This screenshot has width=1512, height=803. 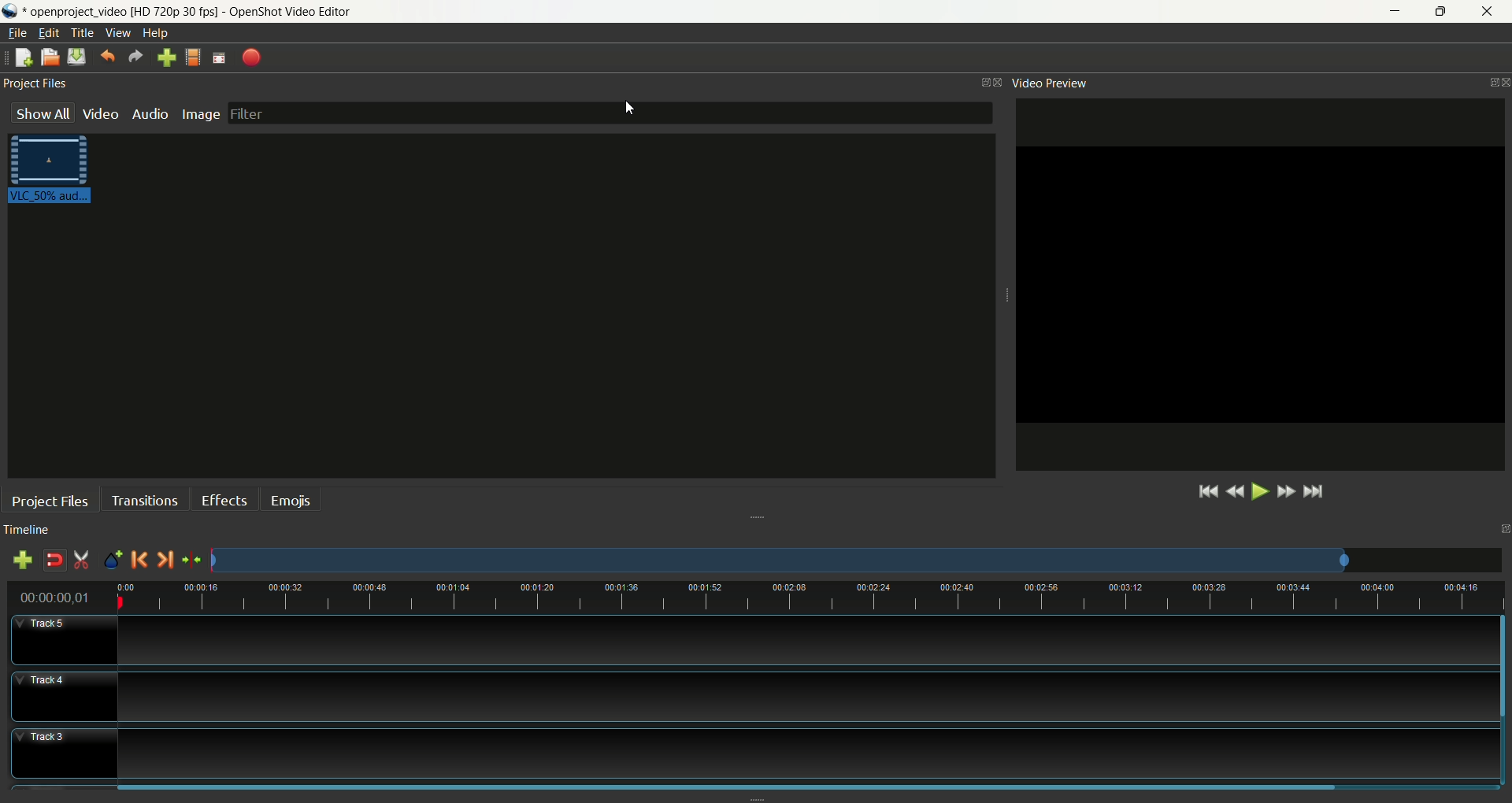 What do you see at coordinates (143, 498) in the screenshot?
I see `transitions` at bounding box center [143, 498].